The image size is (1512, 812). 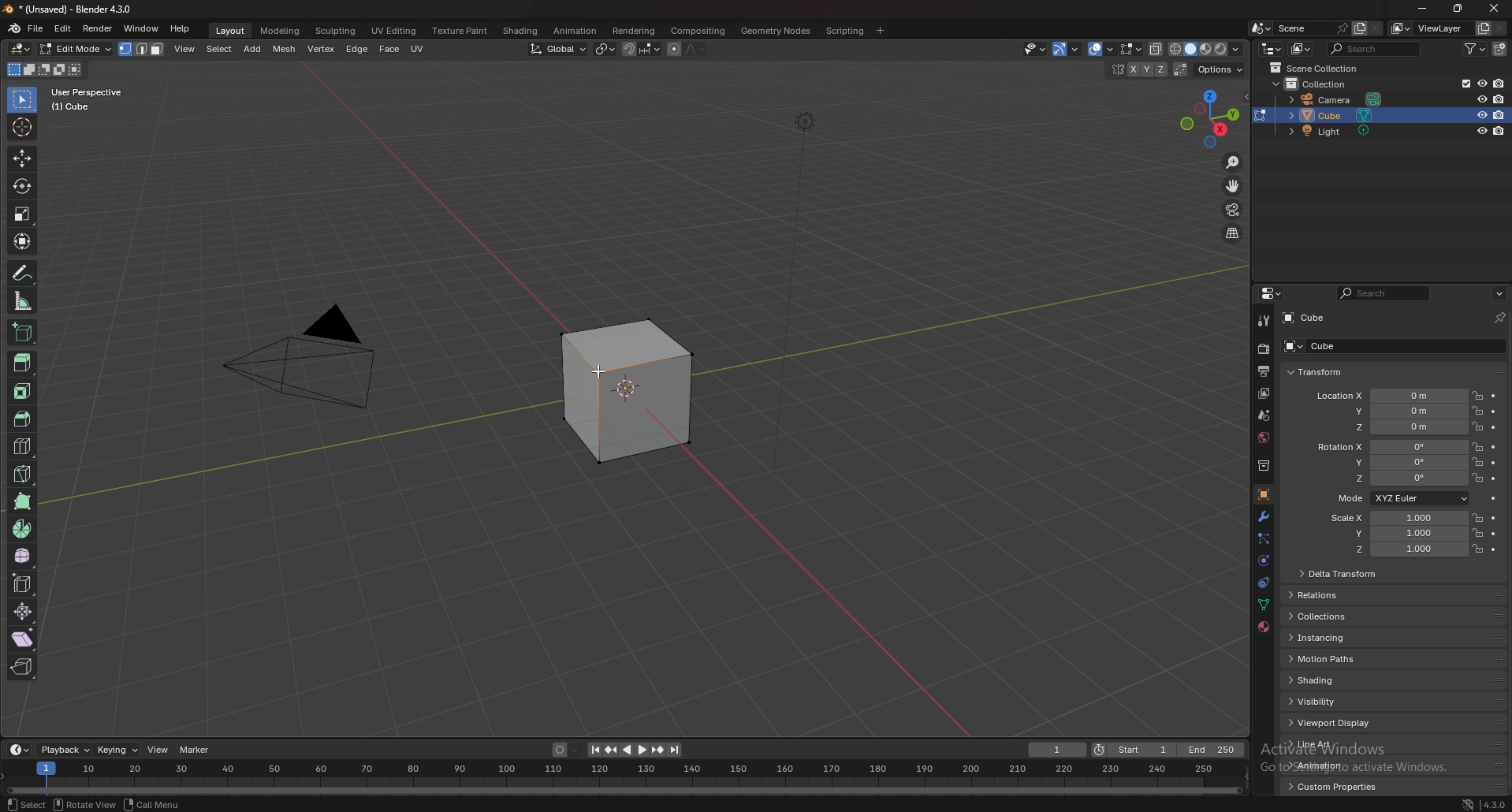 I want to click on move, so click(x=1233, y=186).